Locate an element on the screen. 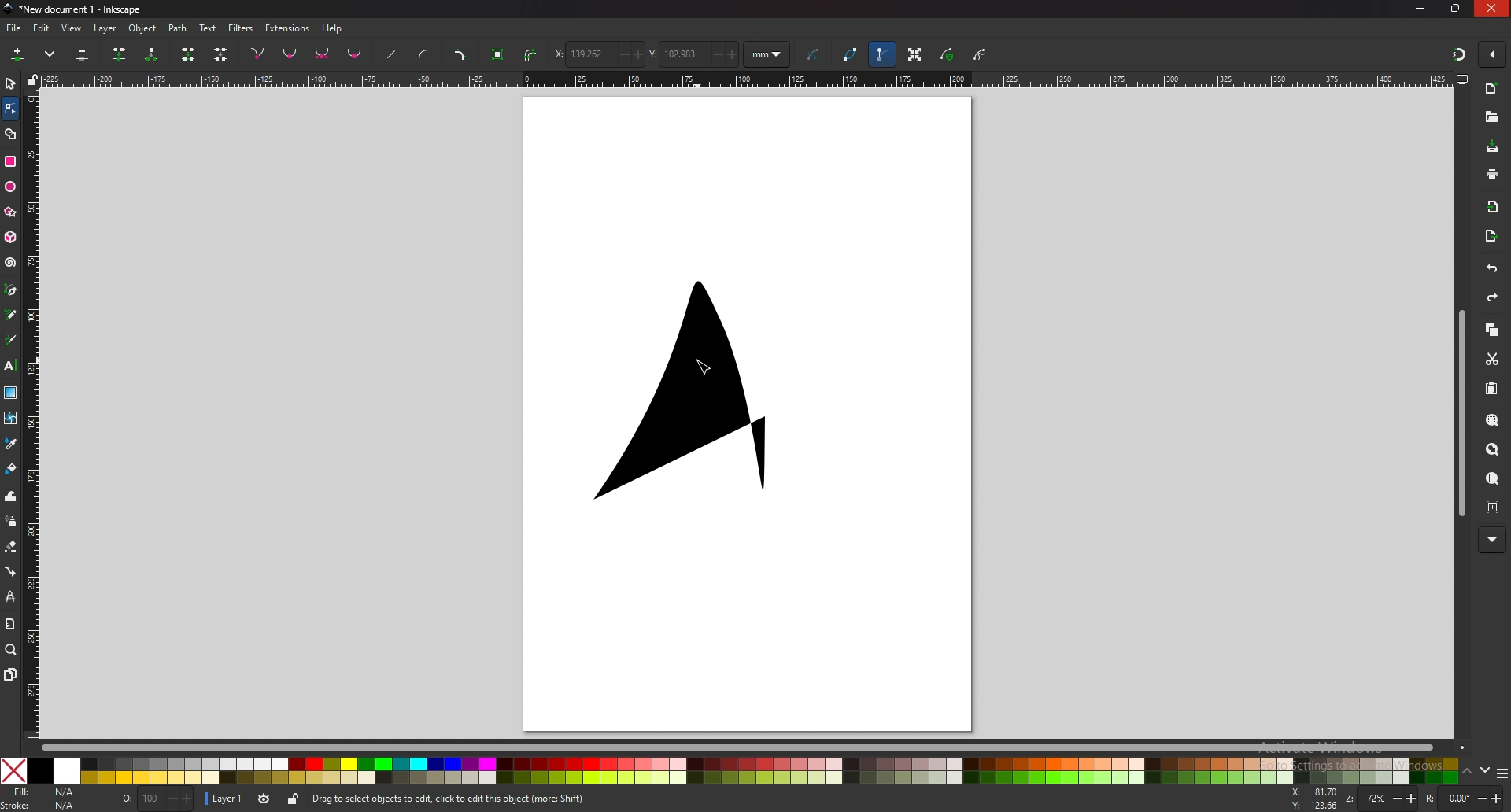 Image resolution: width=1511 pixels, height=812 pixels. snapping is located at coordinates (1459, 55).